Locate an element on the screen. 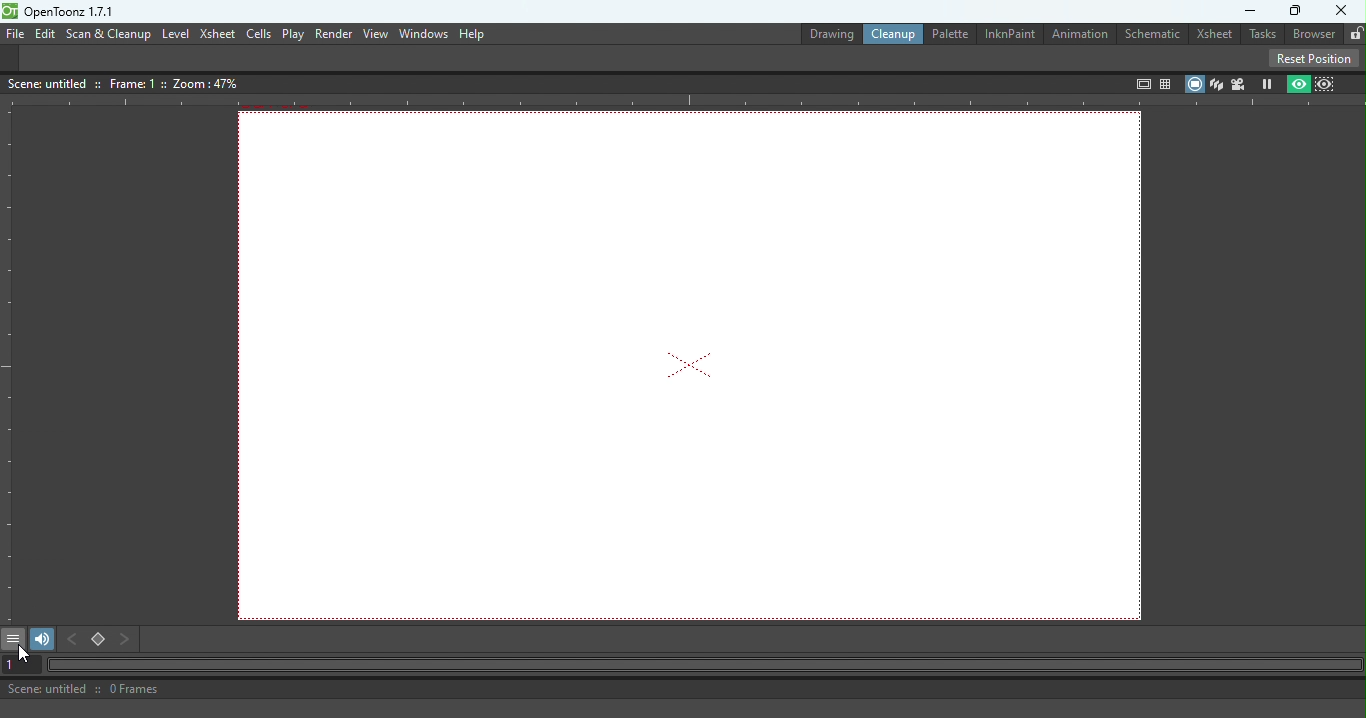 The image size is (1366, 718). Sub-camera view is located at coordinates (1328, 82).